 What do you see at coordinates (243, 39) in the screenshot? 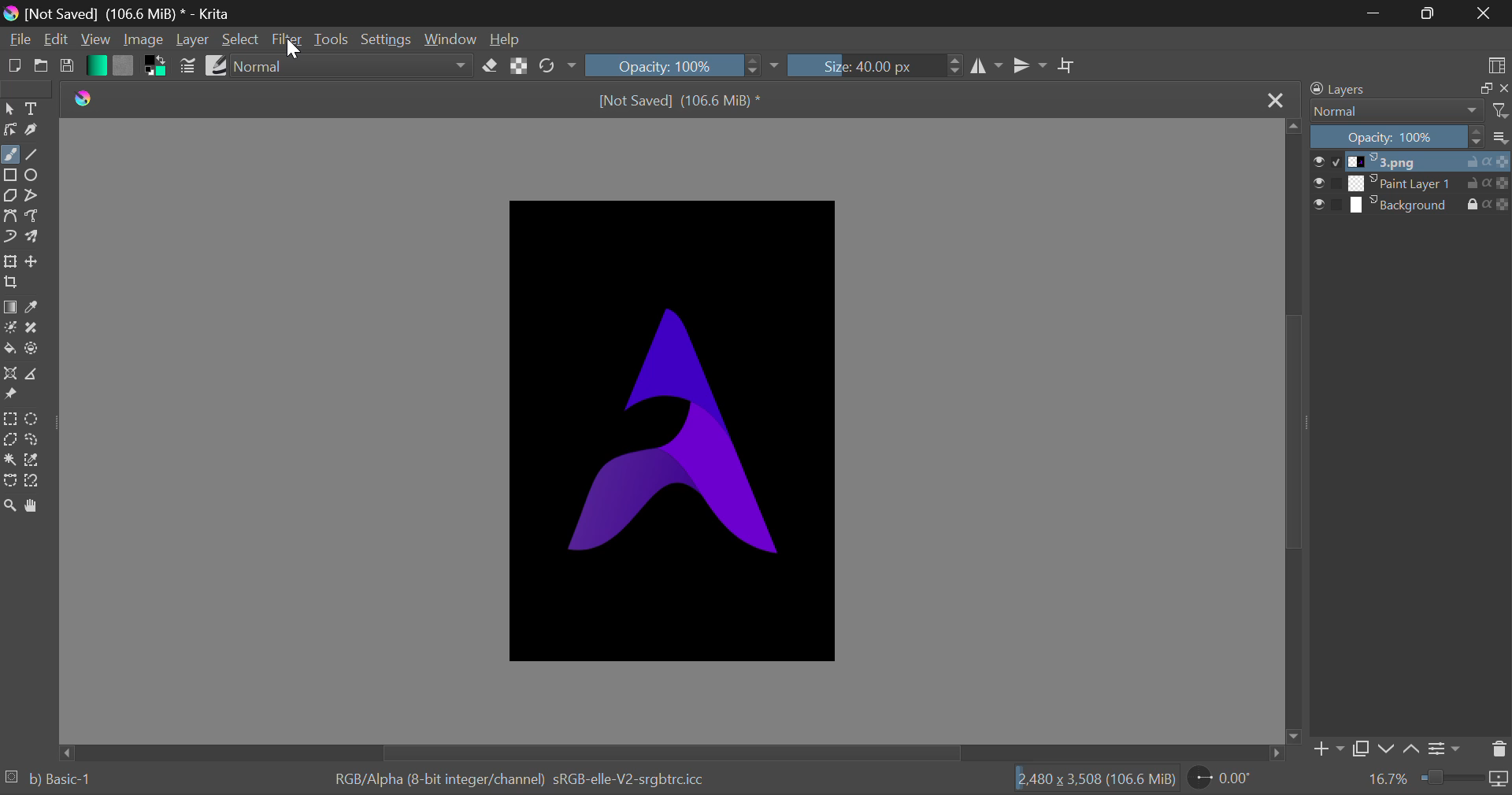
I see `Select` at bounding box center [243, 39].